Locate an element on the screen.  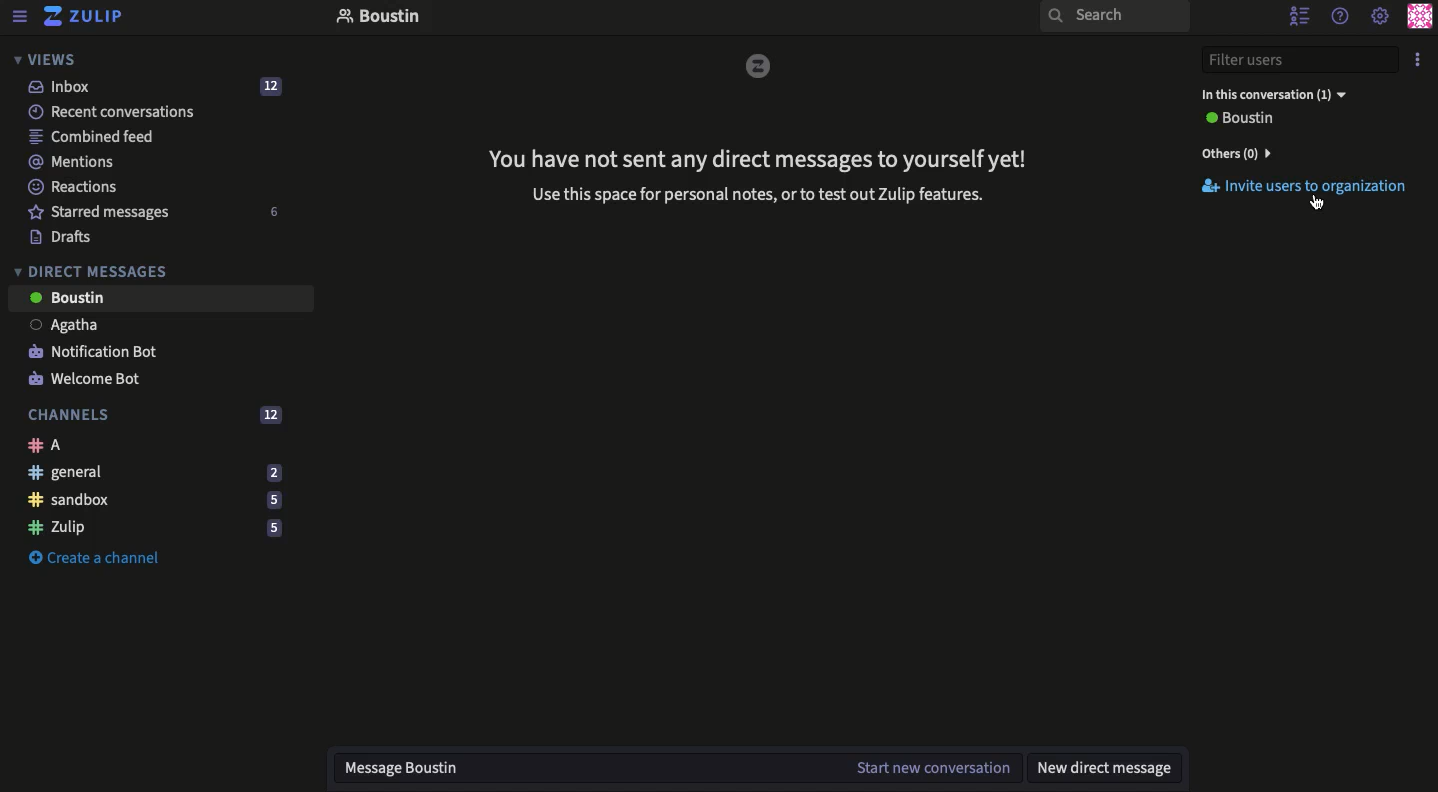
Views is located at coordinates (44, 59).